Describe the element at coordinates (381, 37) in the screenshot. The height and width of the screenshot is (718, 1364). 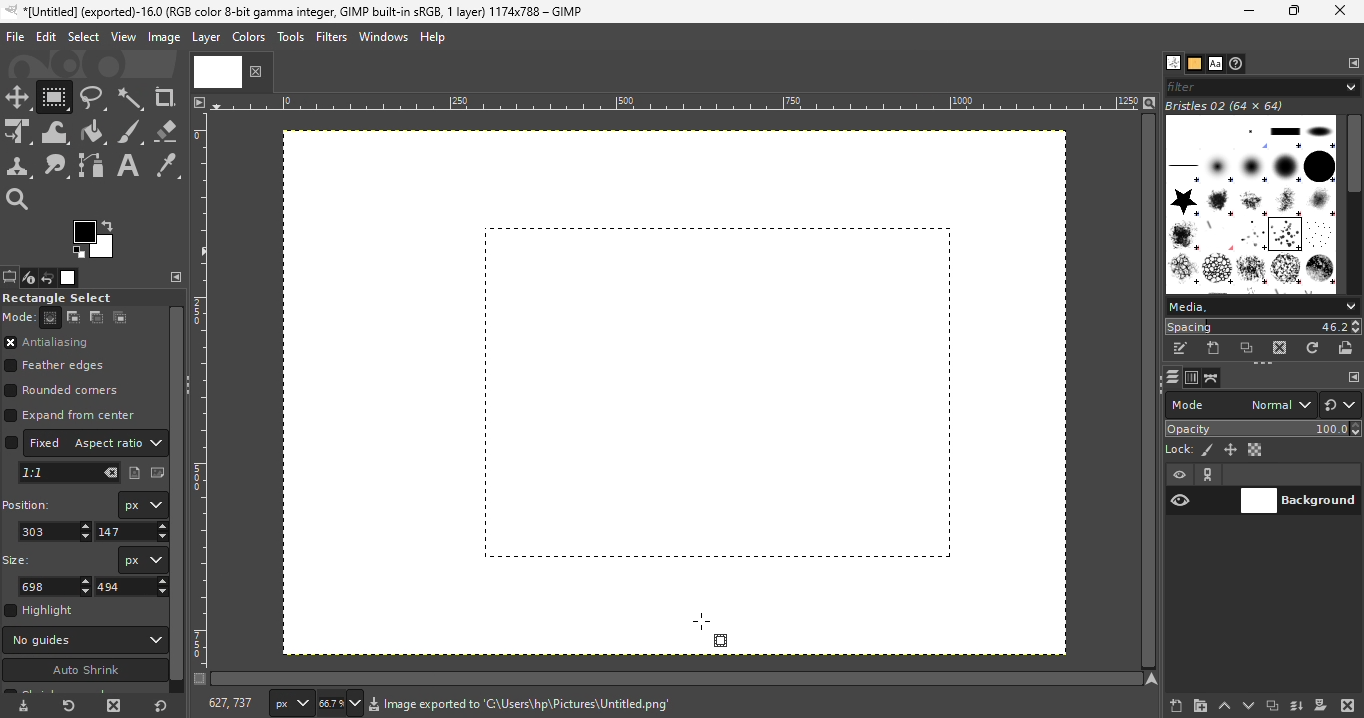
I see `Windows` at that location.